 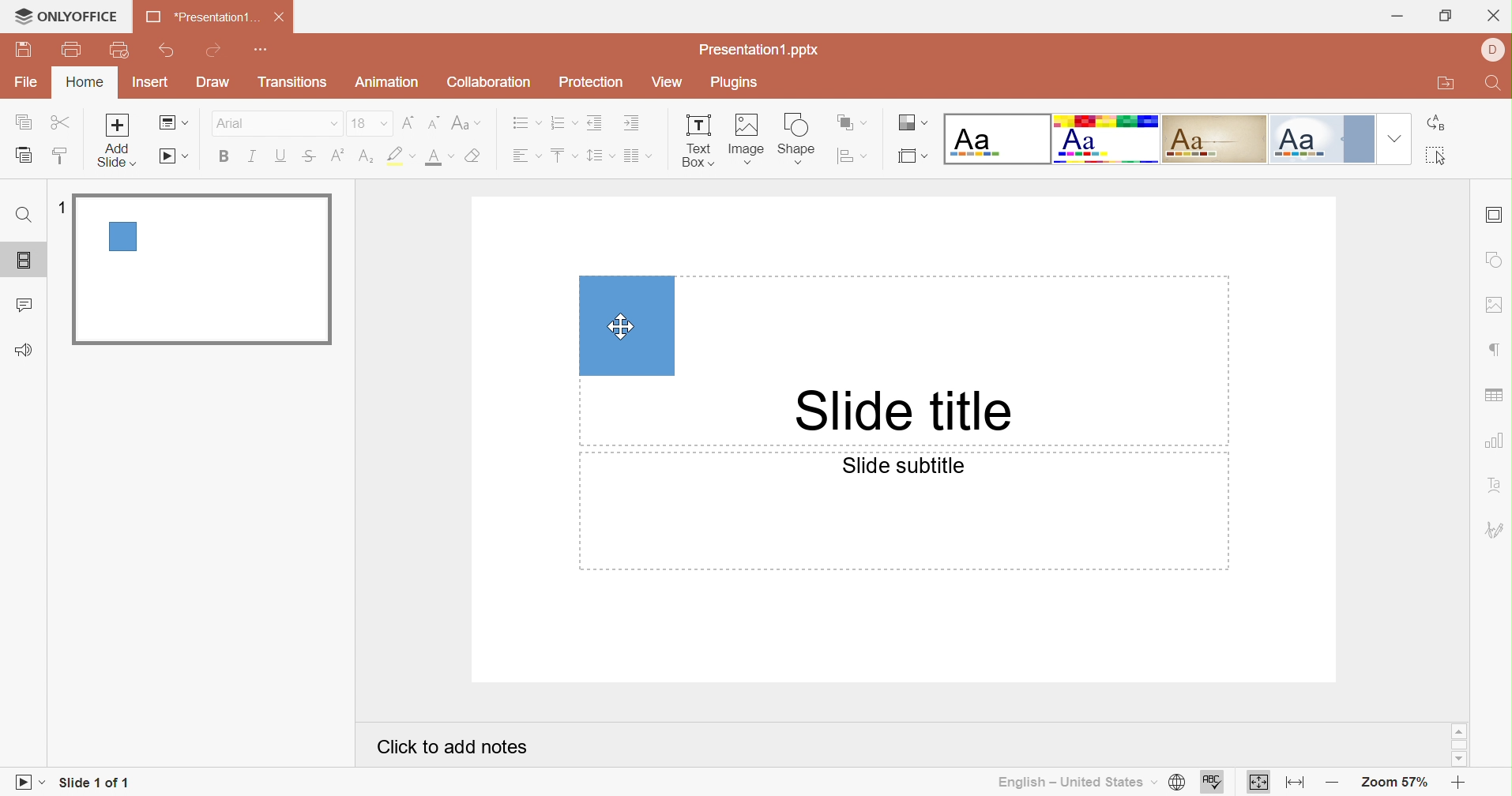 I want to click on Protection, so click(x=592, y=82).